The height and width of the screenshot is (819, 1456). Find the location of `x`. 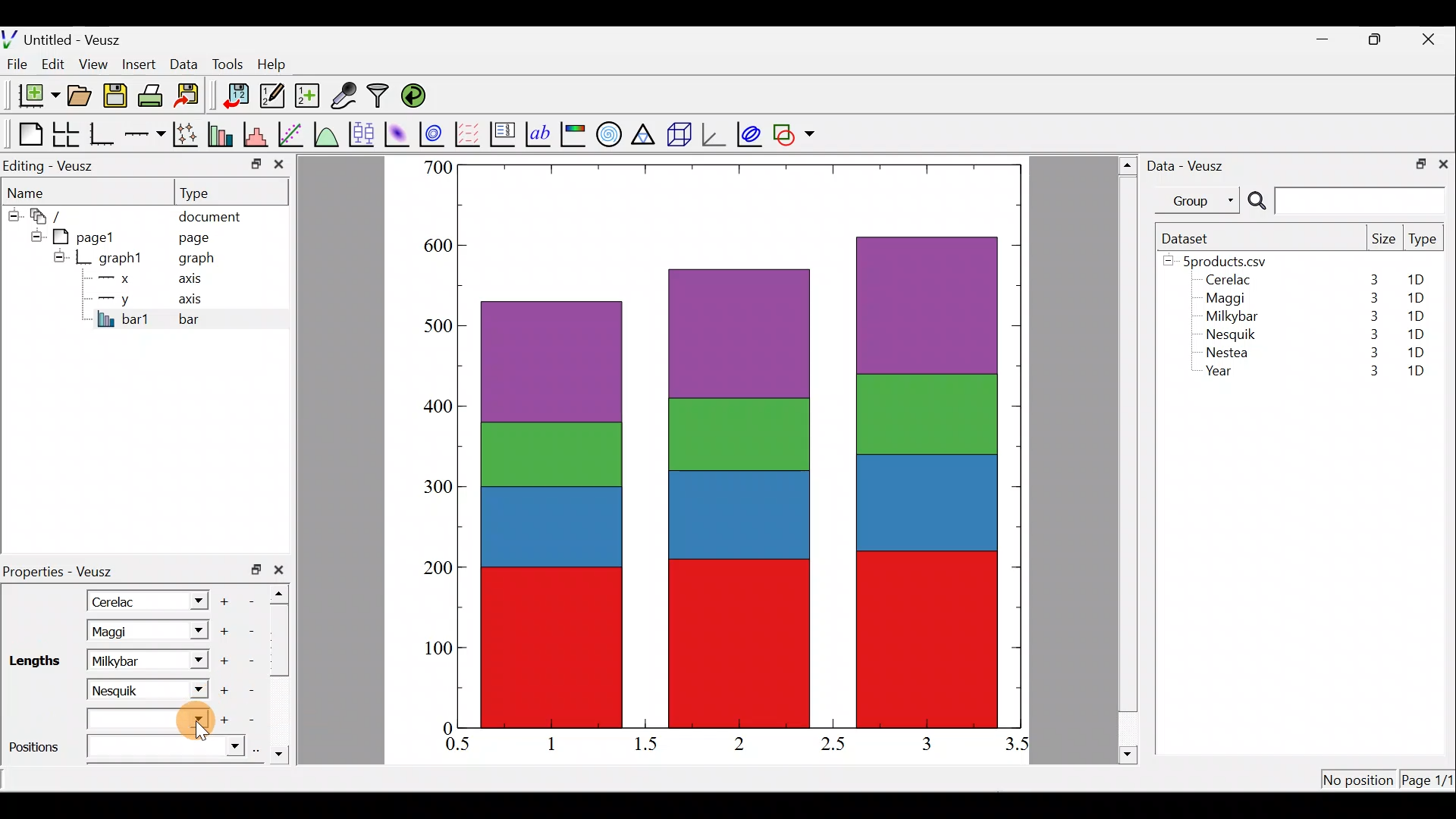

x is located at coordinates (118, 278).